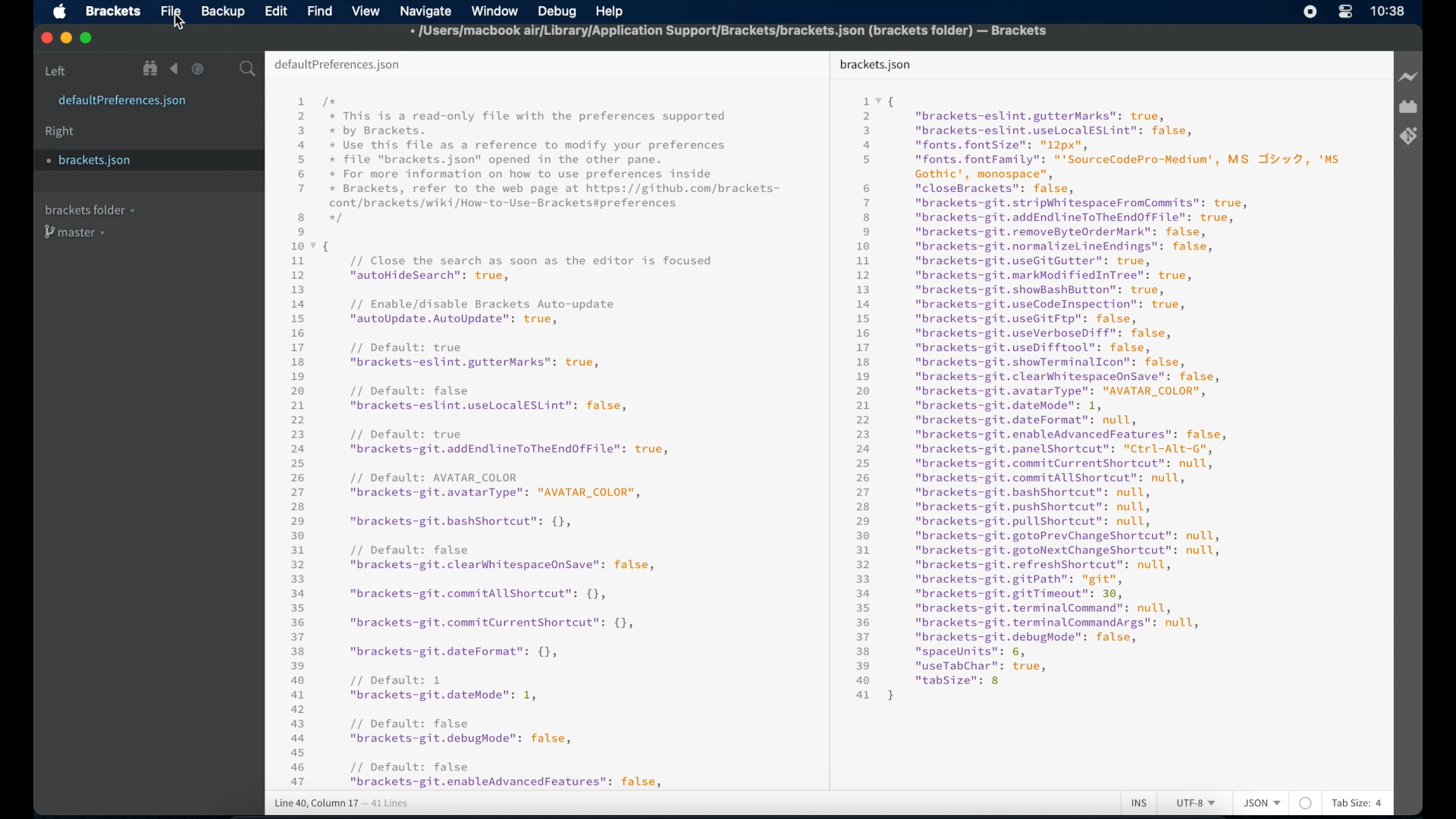 Image resolution: width=1456 pixels, height=819 pixels. What do you see at coordinates (1410, 77) in the screenshot?
I see `live preview` at bounding box center [1410, 77].